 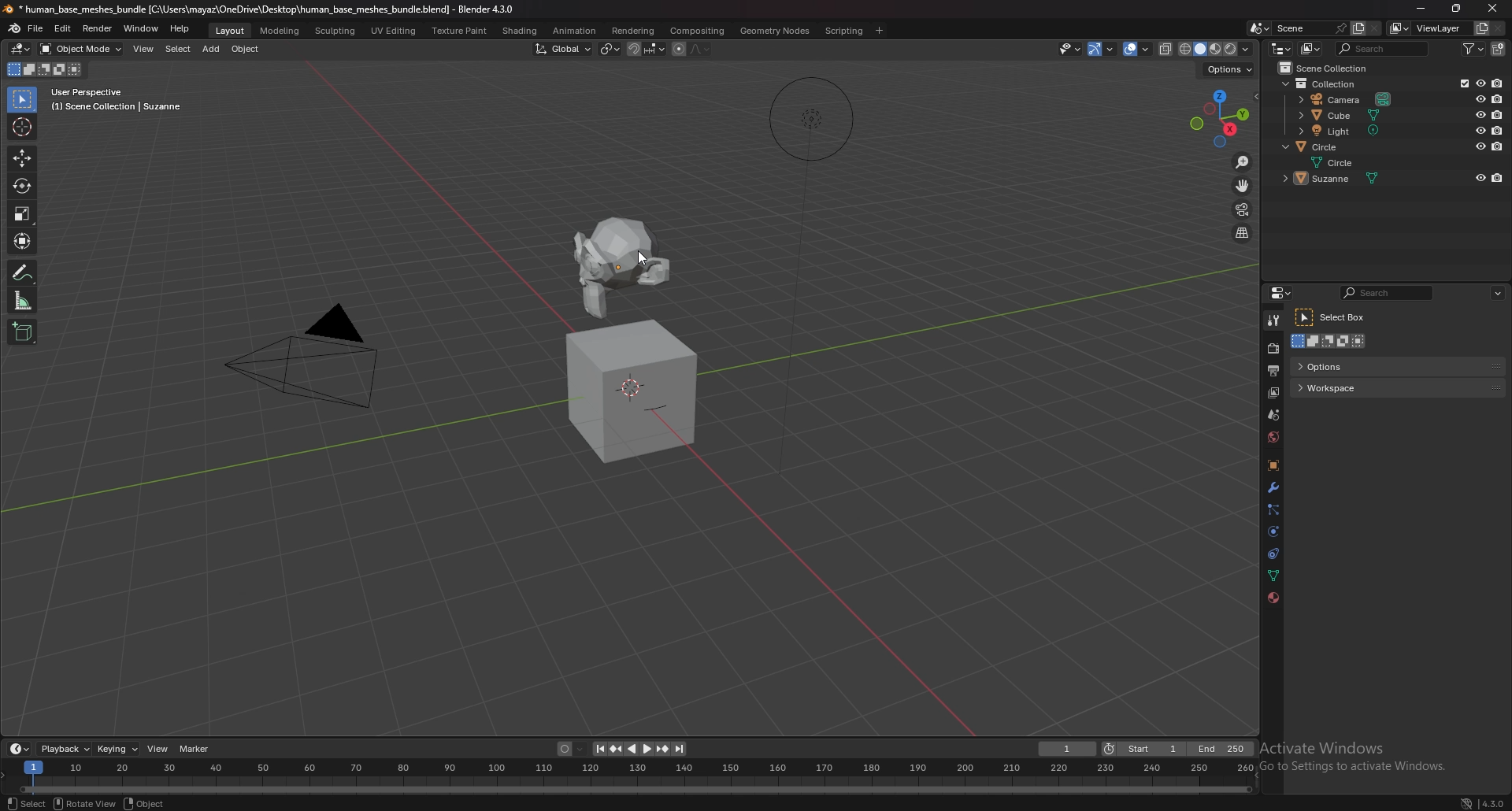 What do you see at coordinates (774, 31) in the screenshot?
I see `geomtry nodes` at bounding box center [774, 31].